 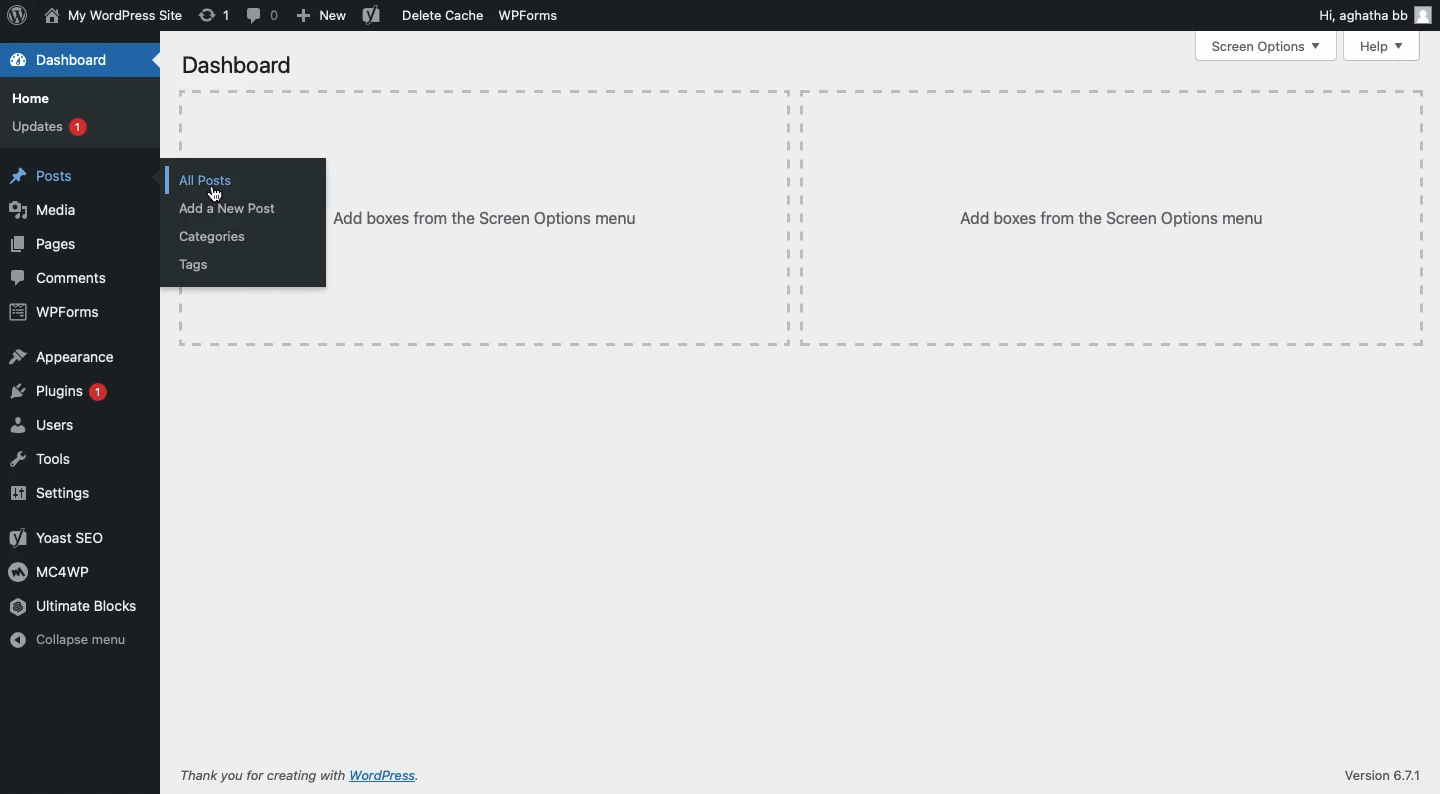 What do you see at coordinates (74, 606) in the screenshot?
I see `Ultimate blocks` at bounding box center [74, 606].